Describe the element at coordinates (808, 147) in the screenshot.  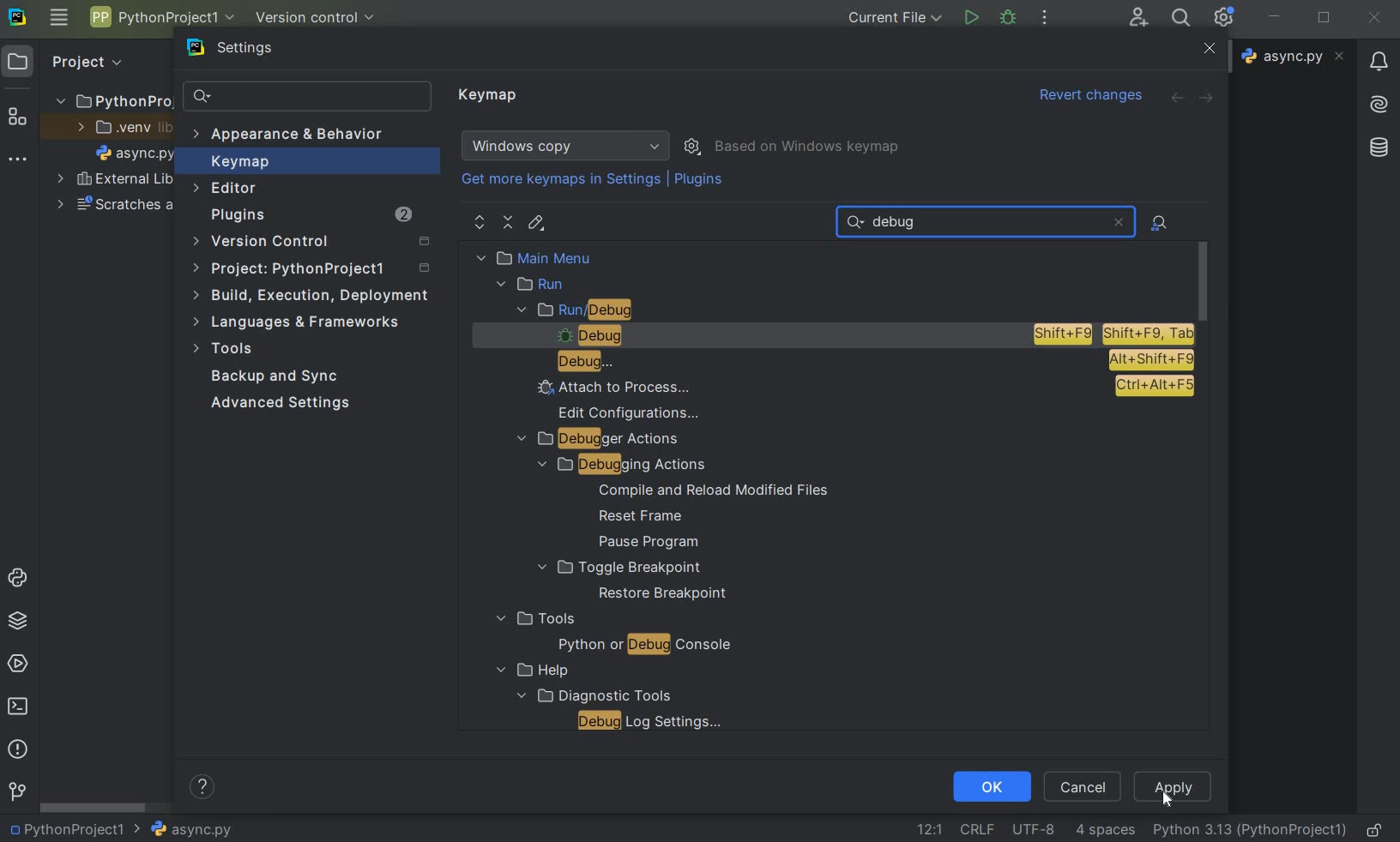
I see `based on windows keymap` at that location.